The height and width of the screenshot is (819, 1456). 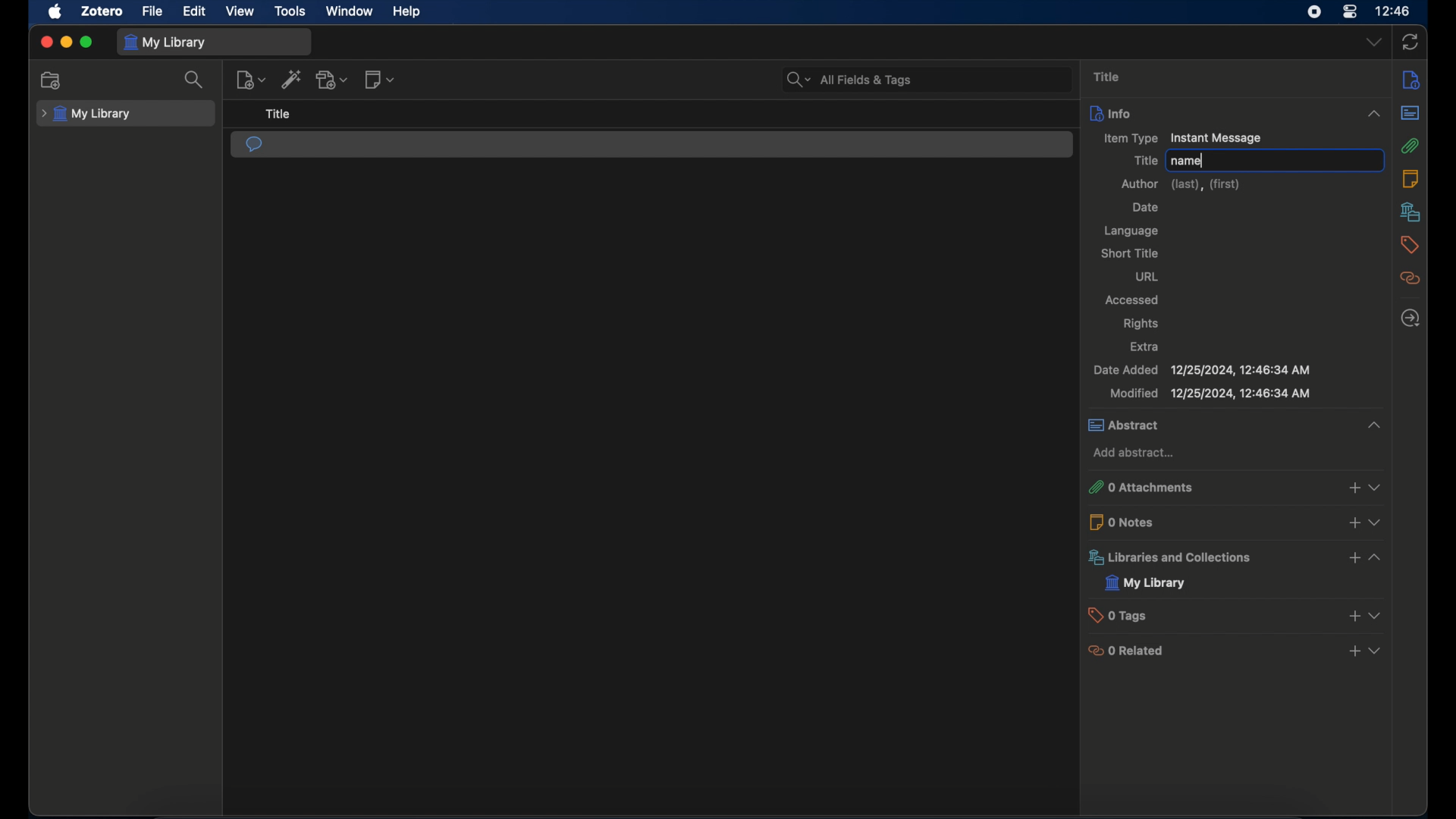 I want to click on notes, so click(x=1414, y=79).